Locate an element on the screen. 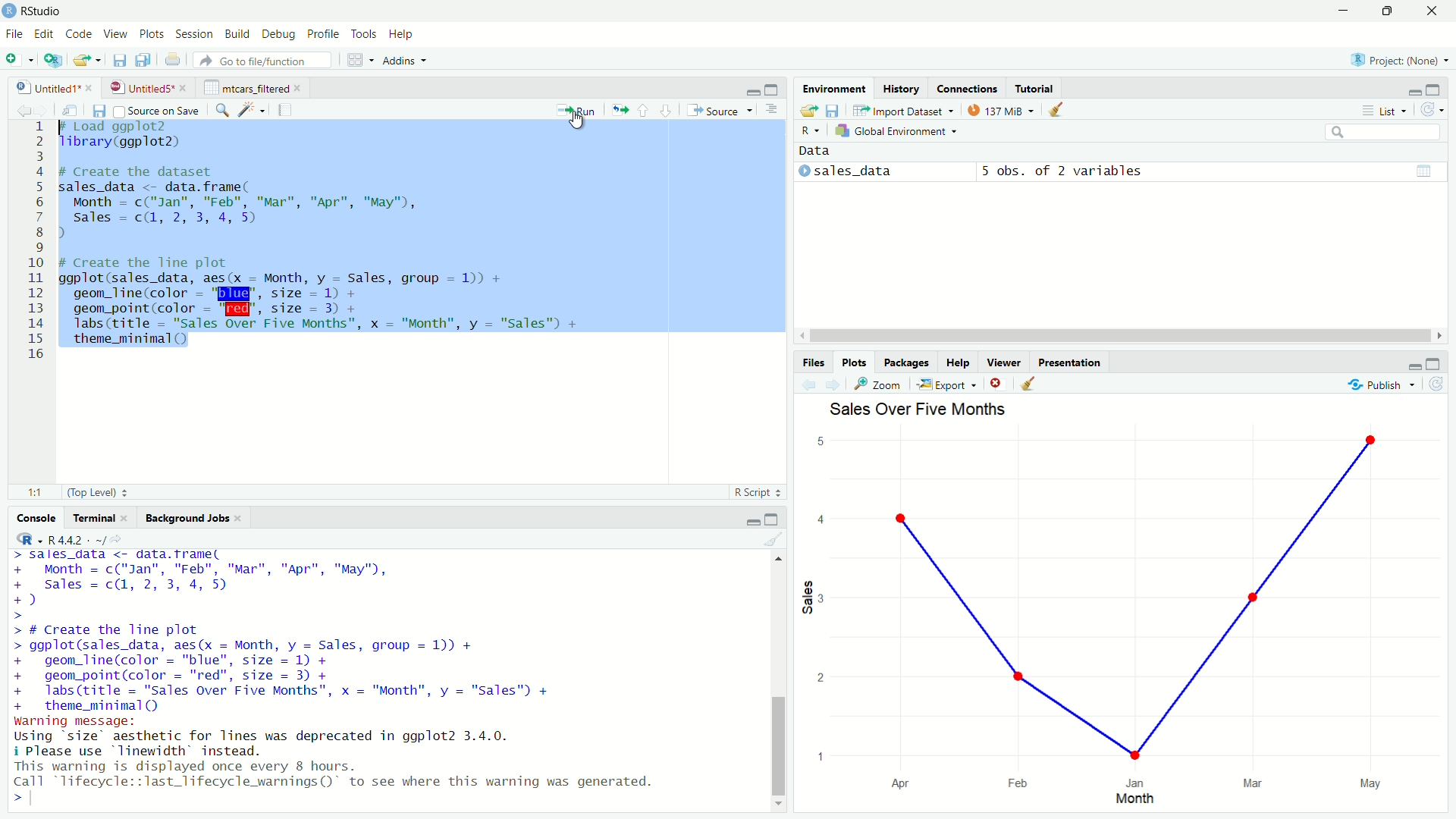 The height and width of the screenshot is (819, 1456). code tools is located at coordinates (253, 109).